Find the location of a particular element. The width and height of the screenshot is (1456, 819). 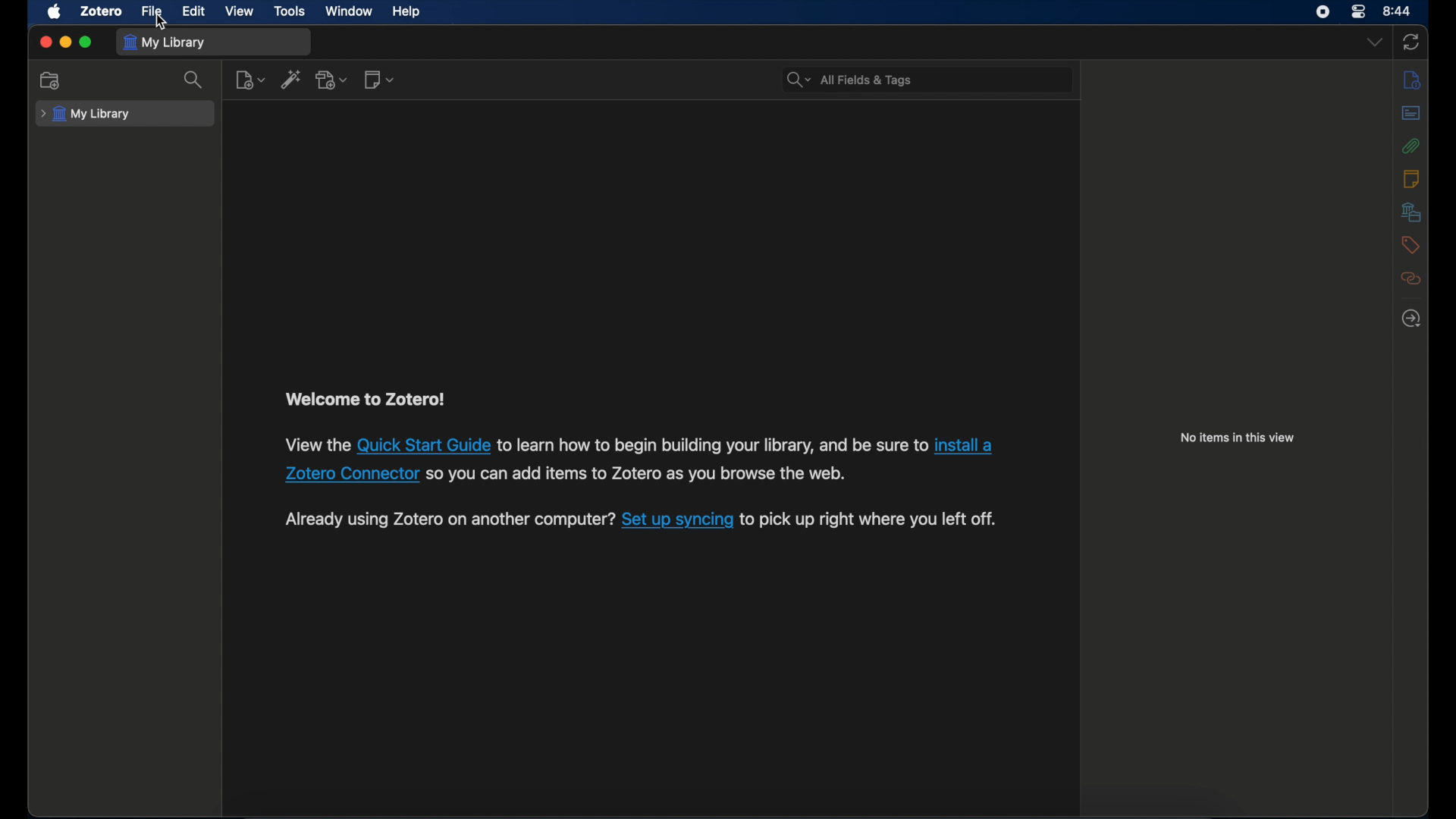

Zotero connector link is located at coordinates (352, 475).